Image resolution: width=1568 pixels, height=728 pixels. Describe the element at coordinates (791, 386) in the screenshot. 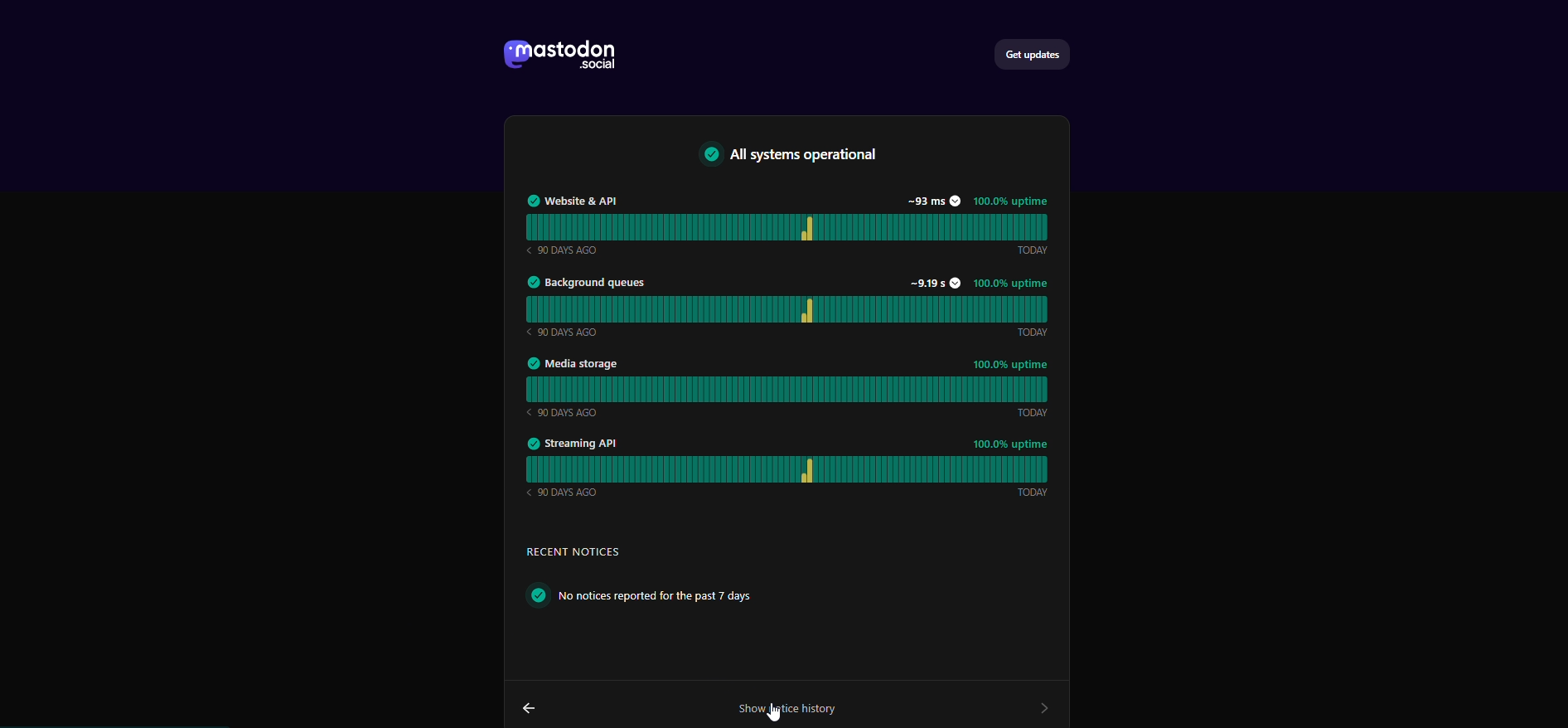

I see `media storage status` at that location.